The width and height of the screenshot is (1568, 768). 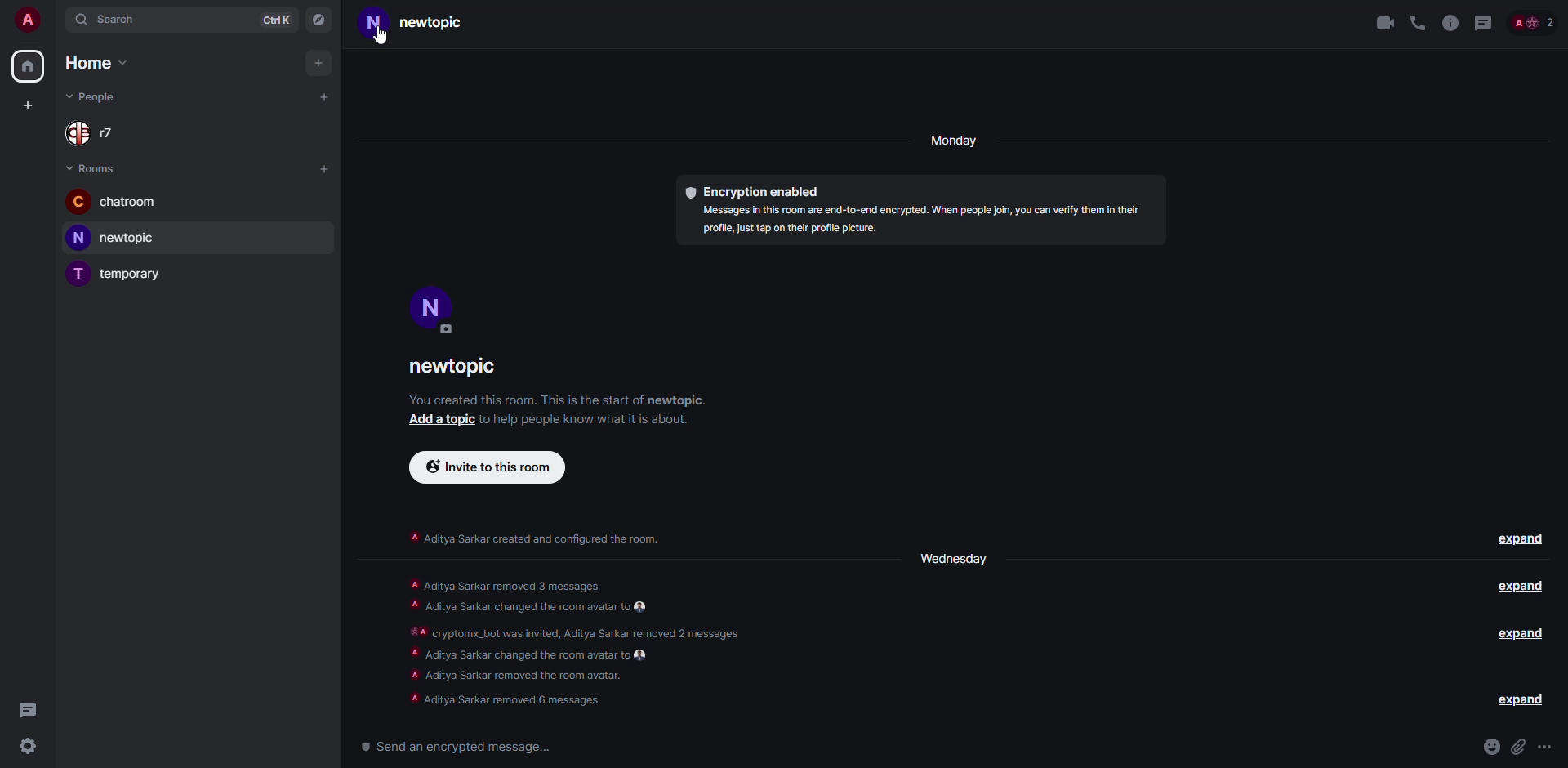 I want to click on You created this room. This is the start of newtopic., so click(x=559, y=400).